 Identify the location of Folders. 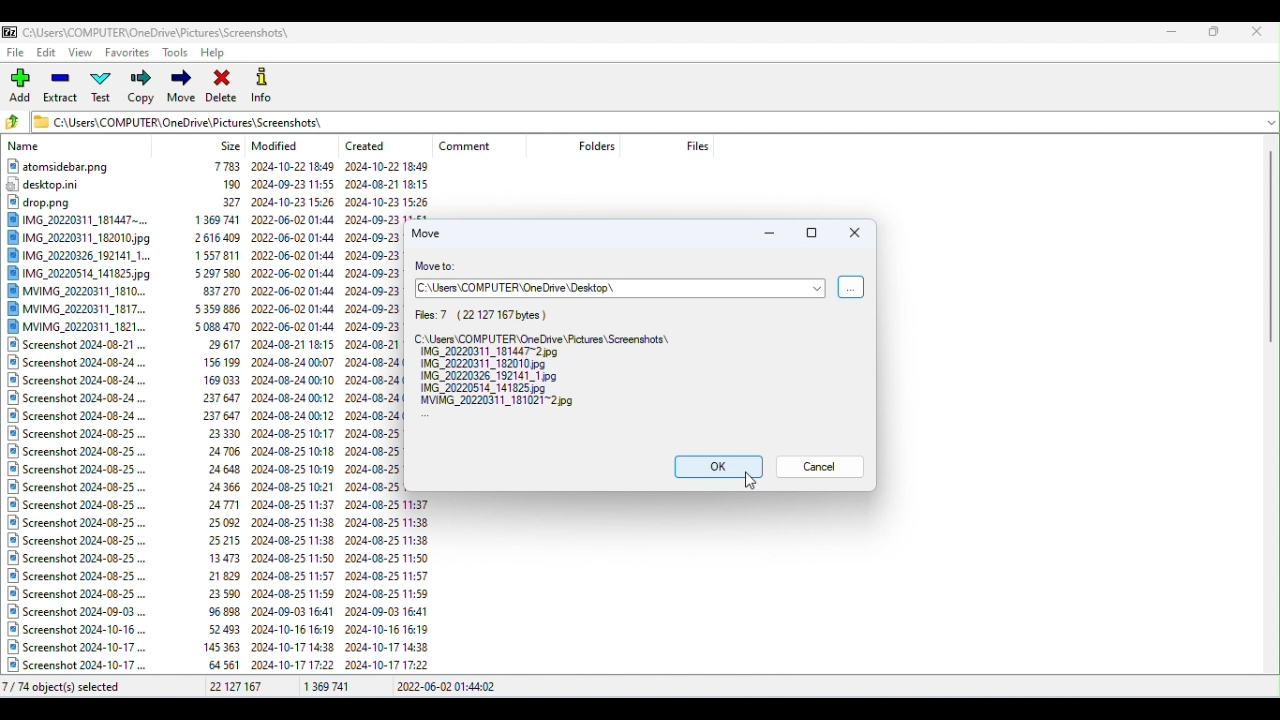
(599, 146).